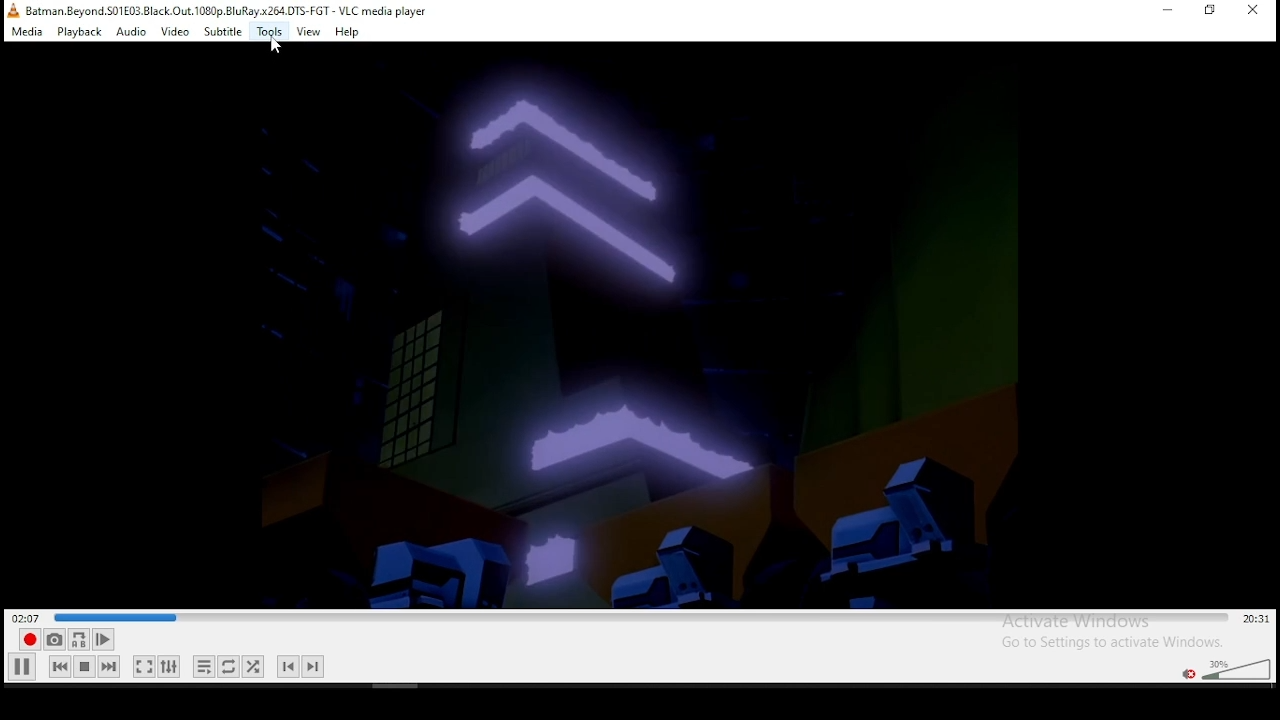 The height and width of the screenshot is (720, 1280). Describe the element at coordinates (84, 666) in the screenshot. I see `stop` at that location.